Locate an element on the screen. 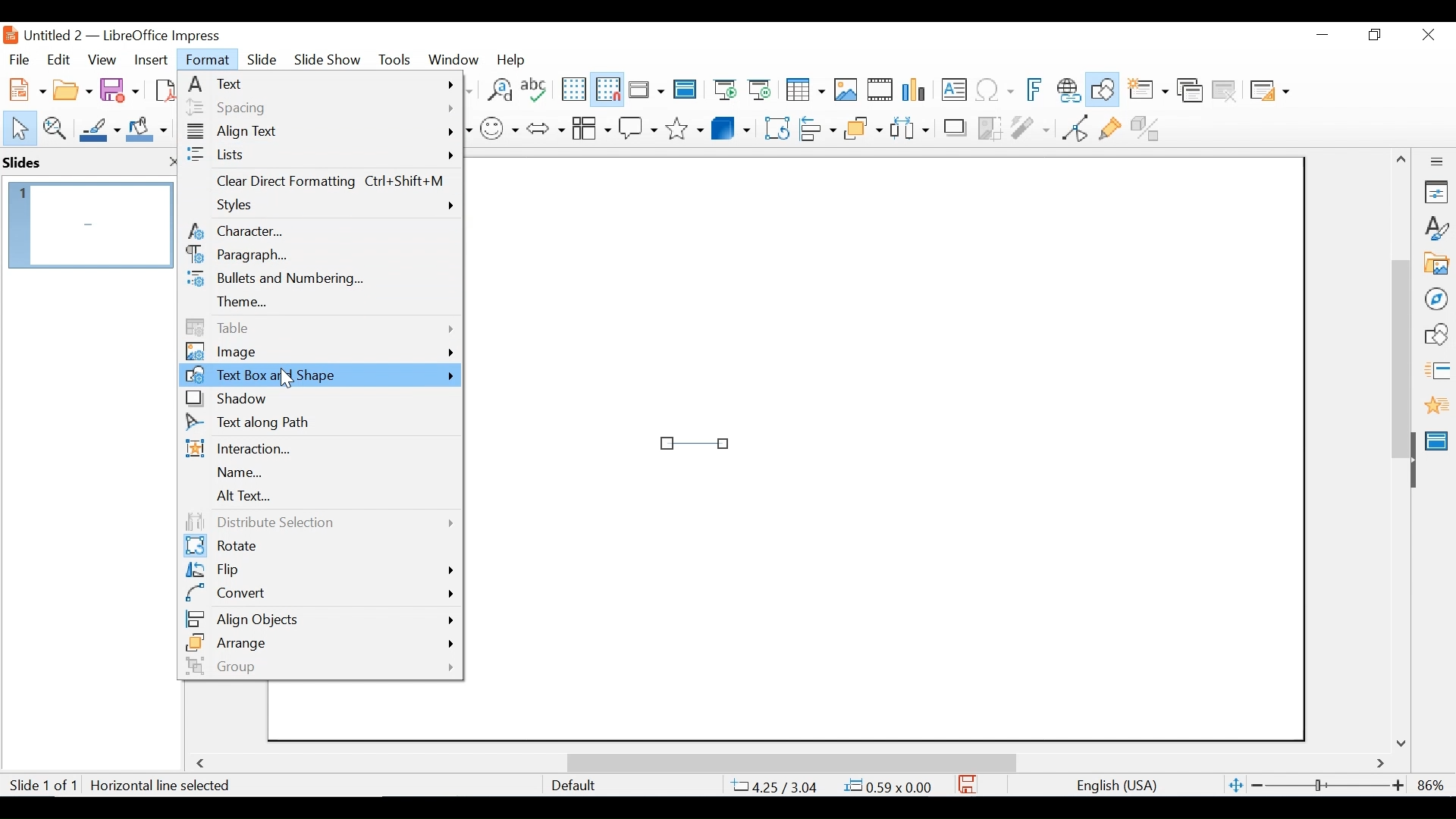 Image resolution: width=1456 pixels, height=819 pixels. Text is located at coordinates (320, 83).